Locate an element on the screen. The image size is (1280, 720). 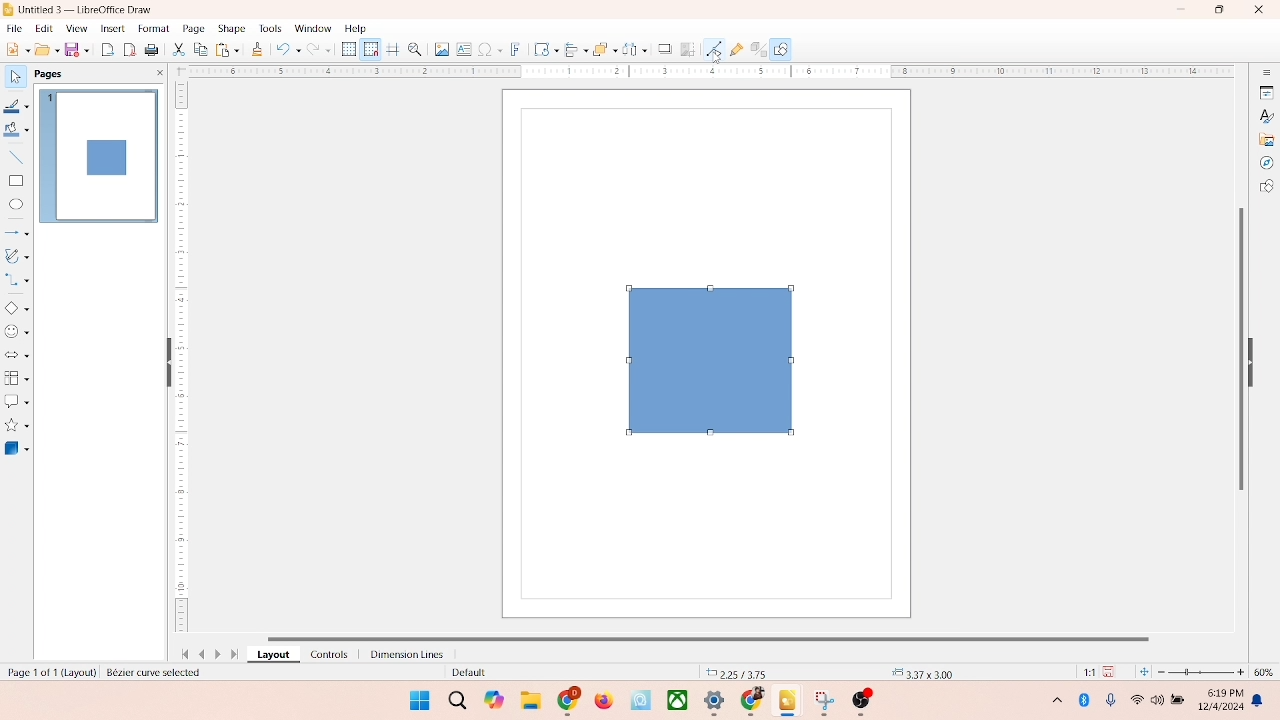
gallery is located at coordinates (1267, 138).